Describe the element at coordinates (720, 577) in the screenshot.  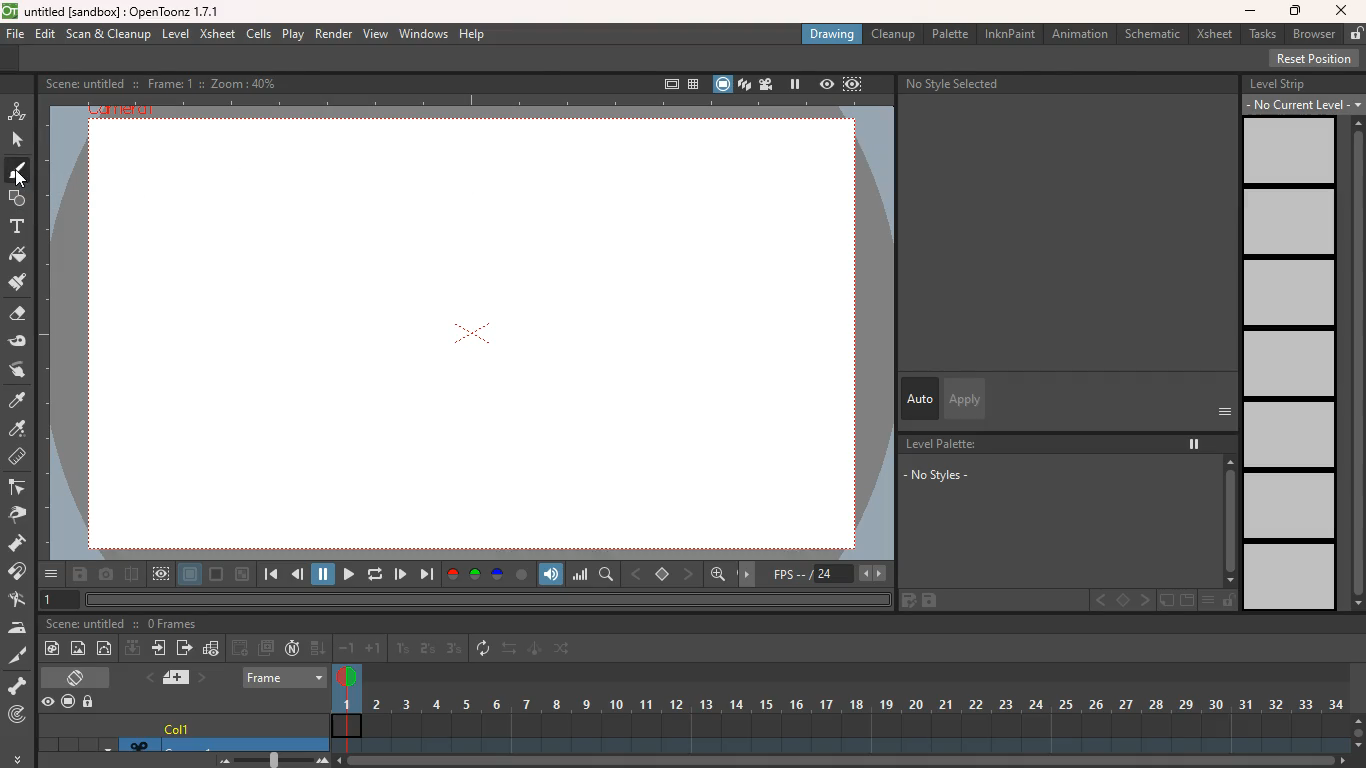
I see `find` at that location.